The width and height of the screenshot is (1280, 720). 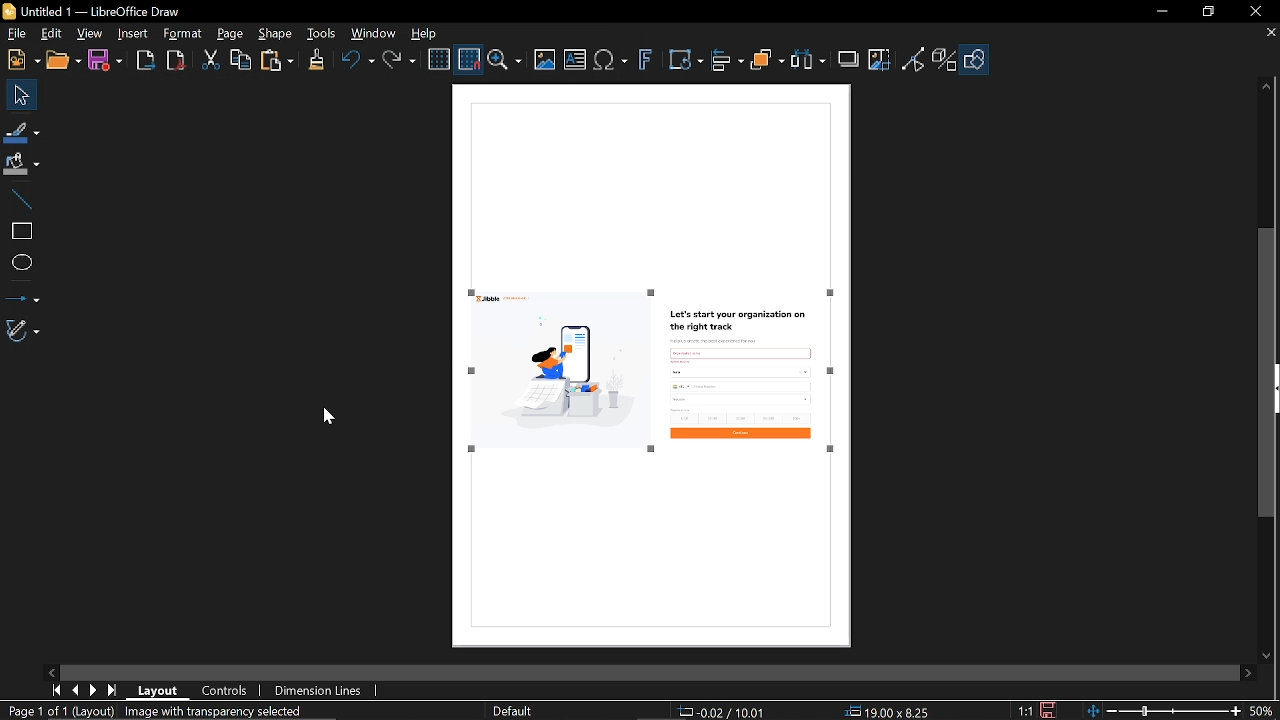 I want to click on Controls, so click(x=226, y=690).